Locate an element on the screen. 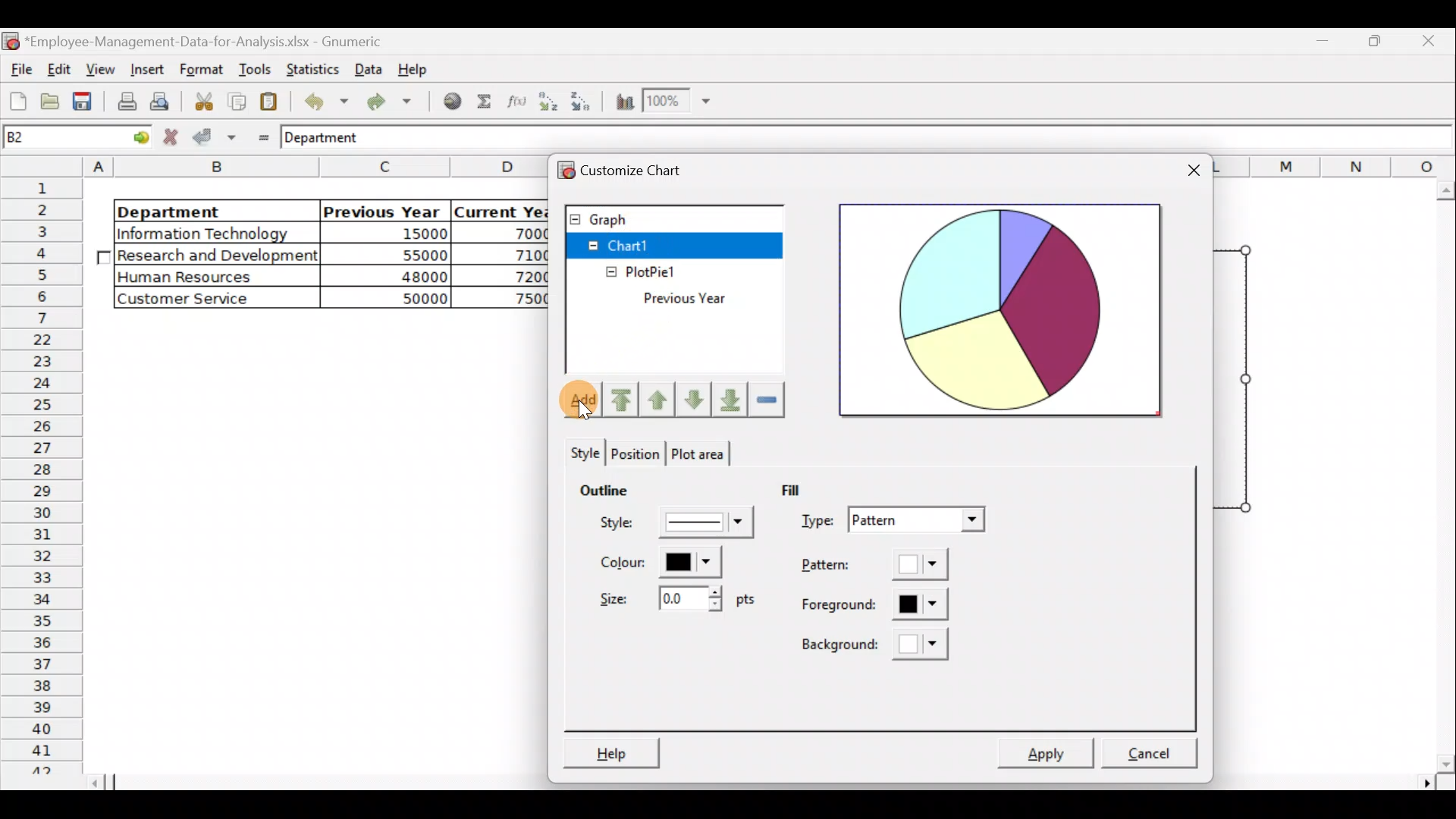 This screenshot has height=819, width=1456. Print preview is located at coordinates (163, 101).